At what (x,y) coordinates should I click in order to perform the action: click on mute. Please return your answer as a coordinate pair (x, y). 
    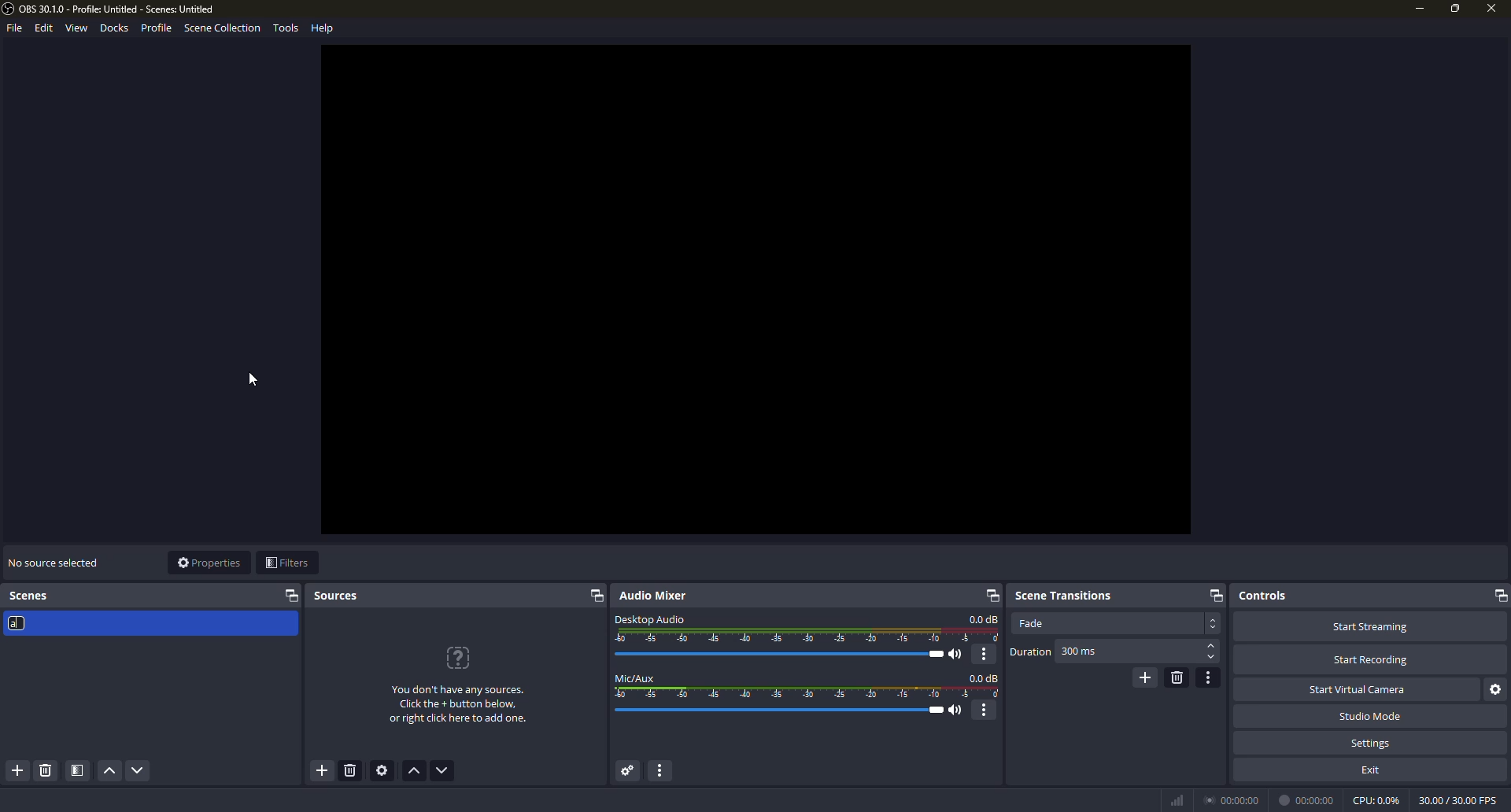
    Looking at the image, I should click on (958, 710).